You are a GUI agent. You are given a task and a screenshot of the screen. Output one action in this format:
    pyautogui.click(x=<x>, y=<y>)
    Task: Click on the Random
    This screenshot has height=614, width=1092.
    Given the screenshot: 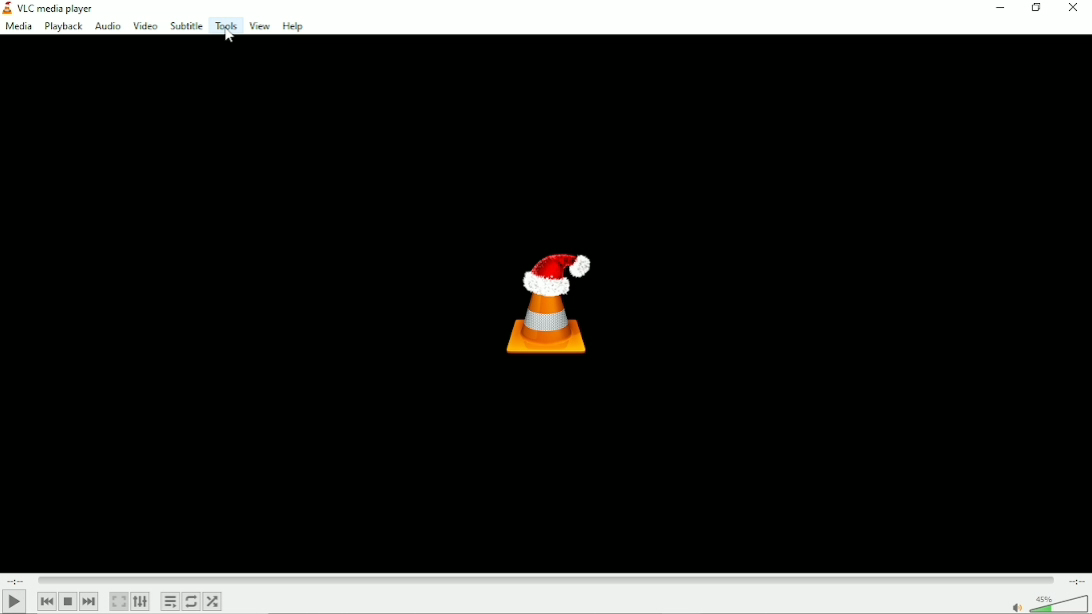 What is the action you would take?
    pyautogui.click(x=213, y=601)
    